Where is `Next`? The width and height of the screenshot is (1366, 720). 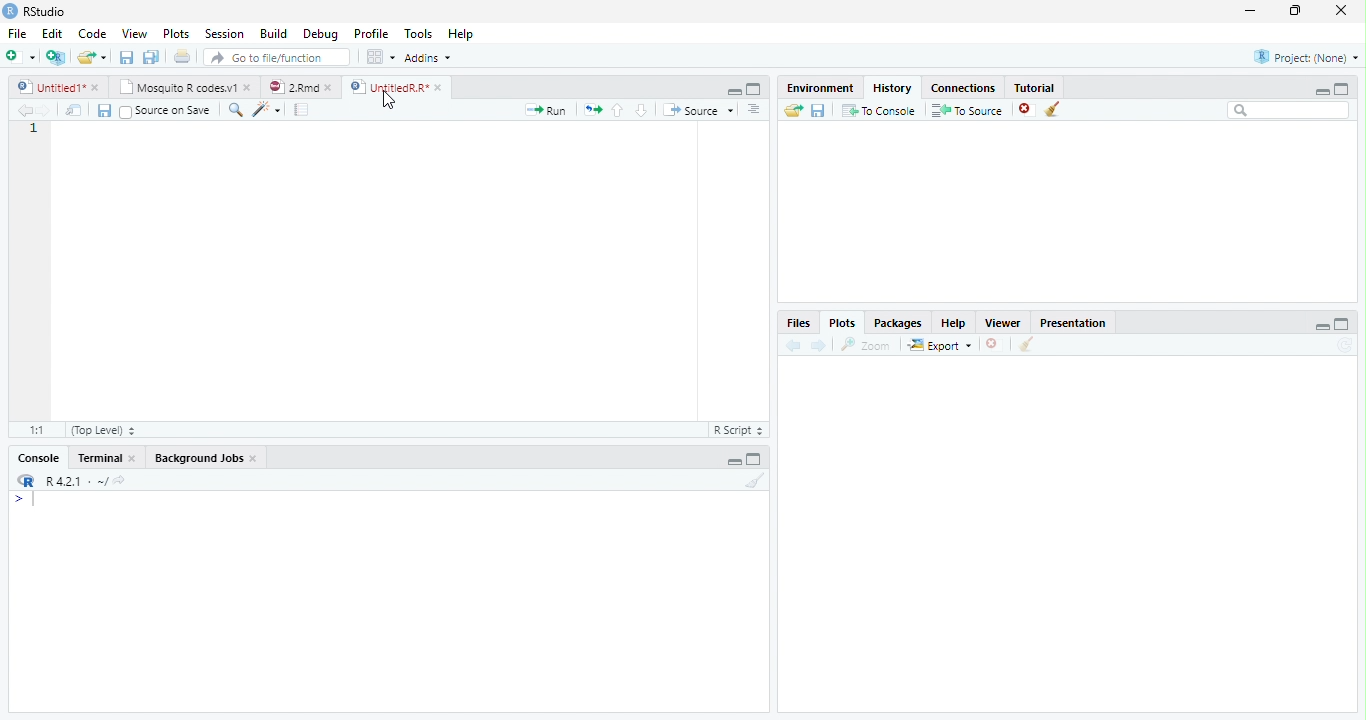 Next is located at coordinates (819, 349).